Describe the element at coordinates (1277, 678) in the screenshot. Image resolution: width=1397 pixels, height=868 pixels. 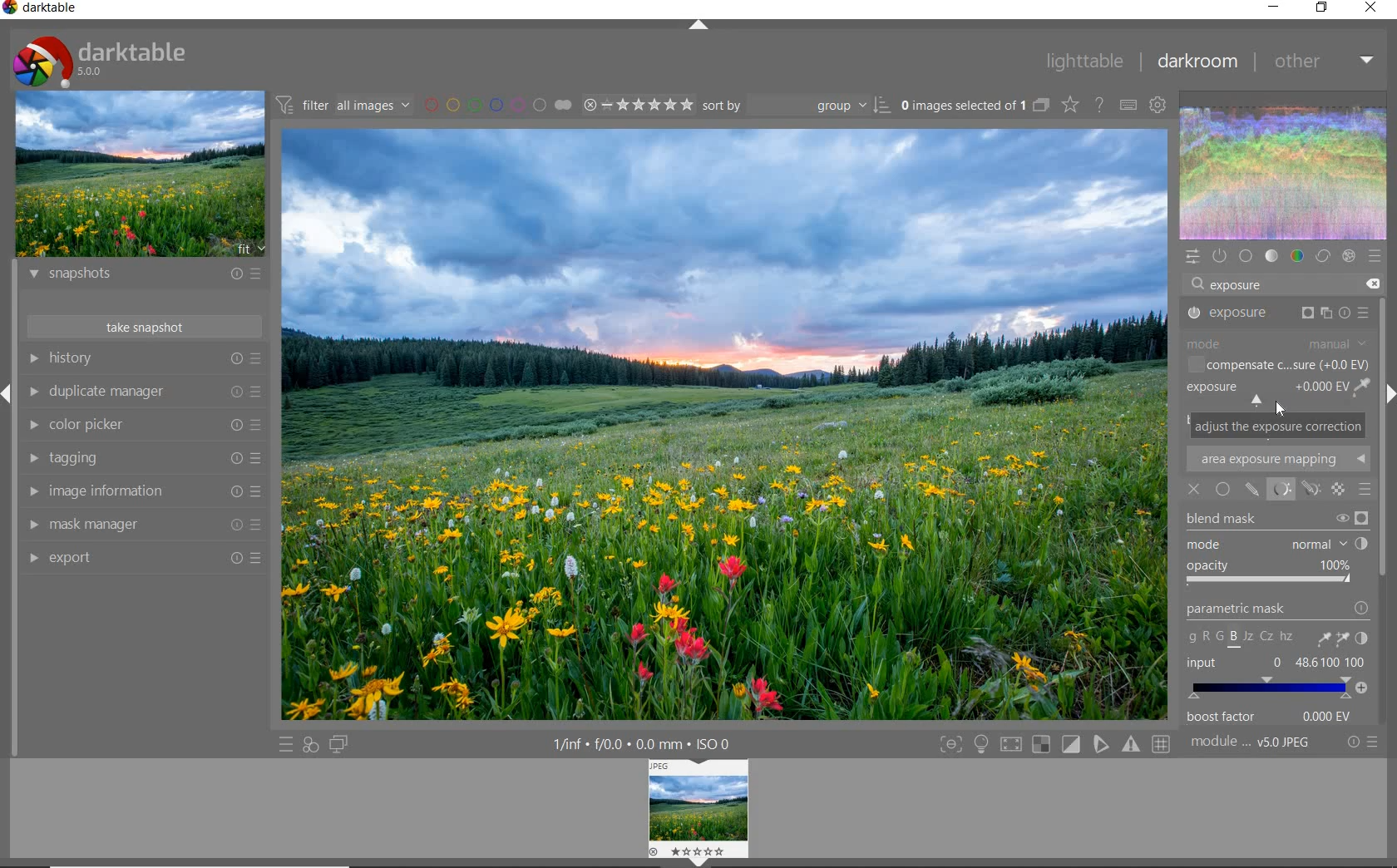
I see `Input` at that location.